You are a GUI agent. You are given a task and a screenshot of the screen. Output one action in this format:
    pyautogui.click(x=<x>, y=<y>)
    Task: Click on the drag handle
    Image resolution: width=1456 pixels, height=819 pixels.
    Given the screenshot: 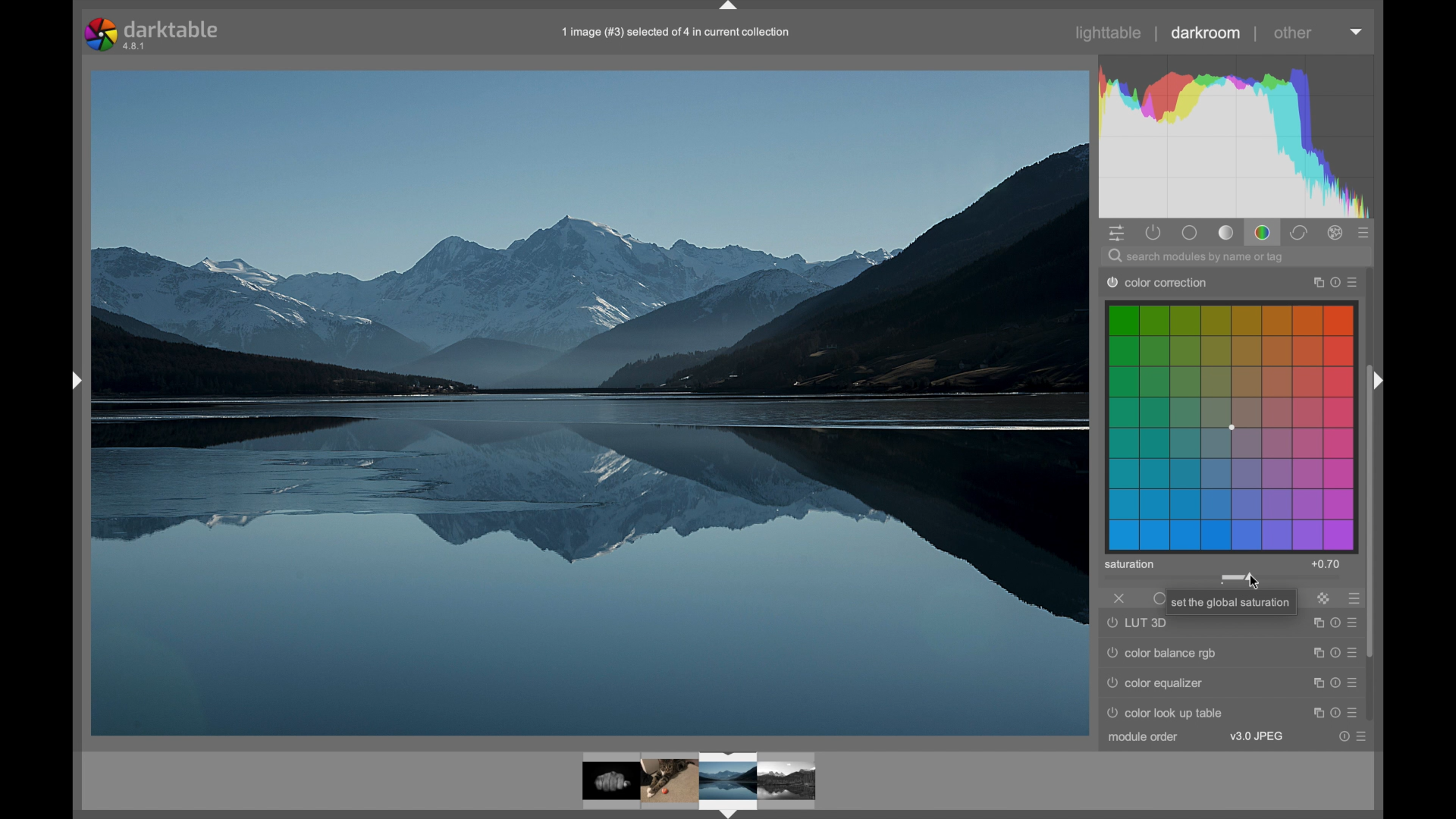 What is the action you would take?
    pyautogui.click(x=728, y=8)
    